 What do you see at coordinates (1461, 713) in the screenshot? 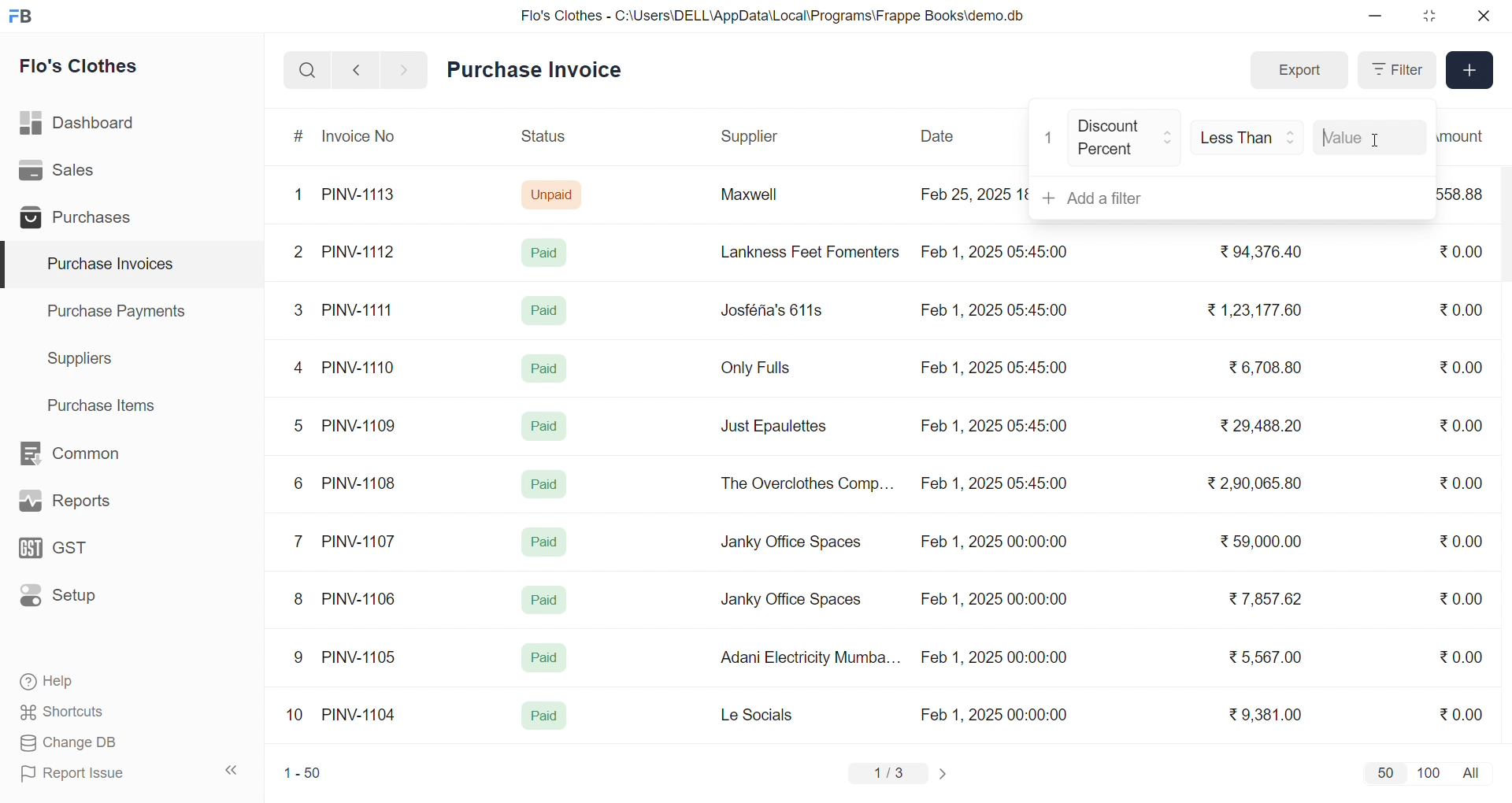
I see `₹0.00` at bounding box center [1461, 713].